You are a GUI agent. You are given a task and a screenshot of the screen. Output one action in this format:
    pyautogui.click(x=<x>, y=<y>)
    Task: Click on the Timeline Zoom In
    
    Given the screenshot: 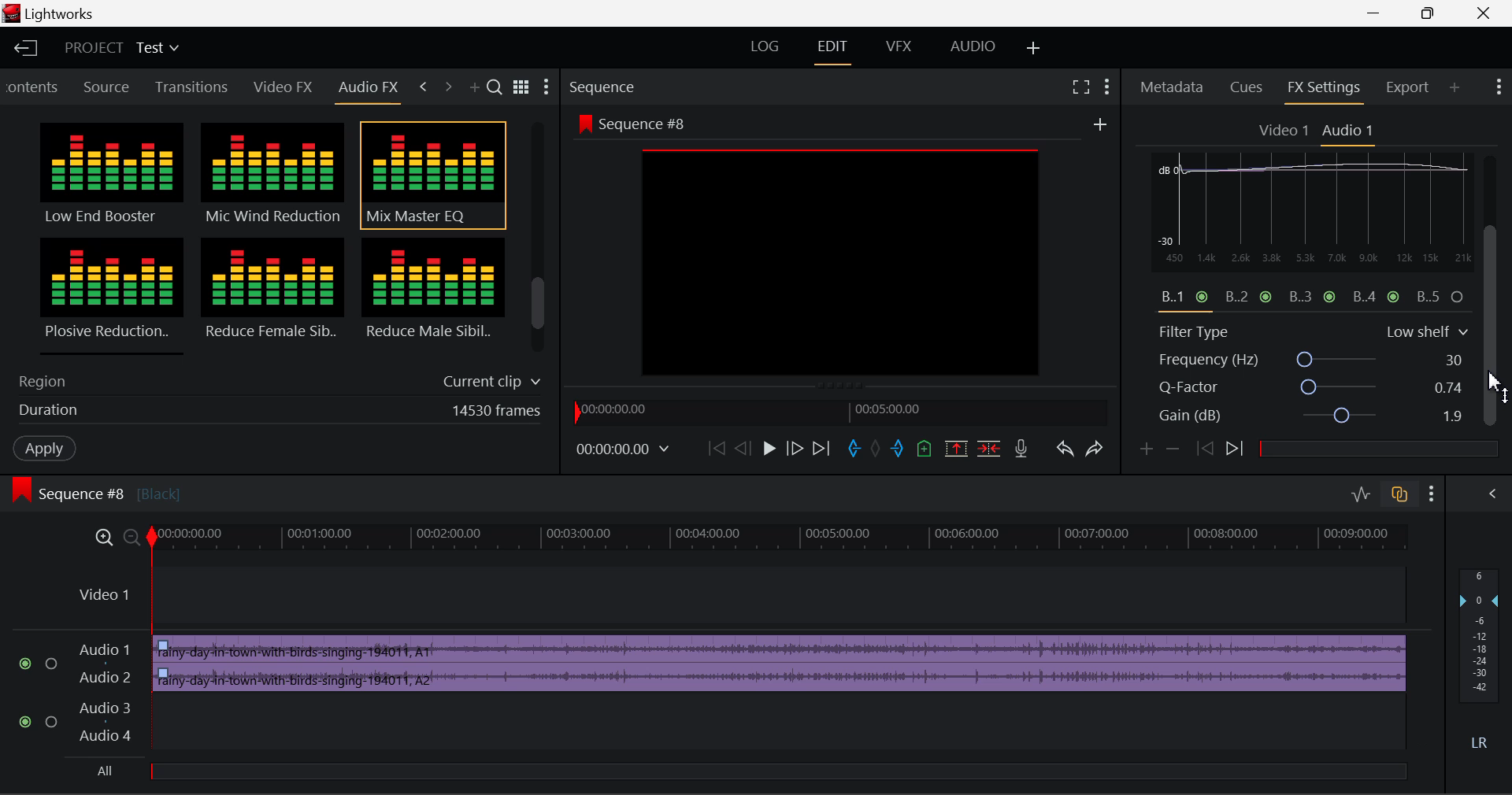 What is the action you would take?
    pyautogui.click(x=106, y=538)
    